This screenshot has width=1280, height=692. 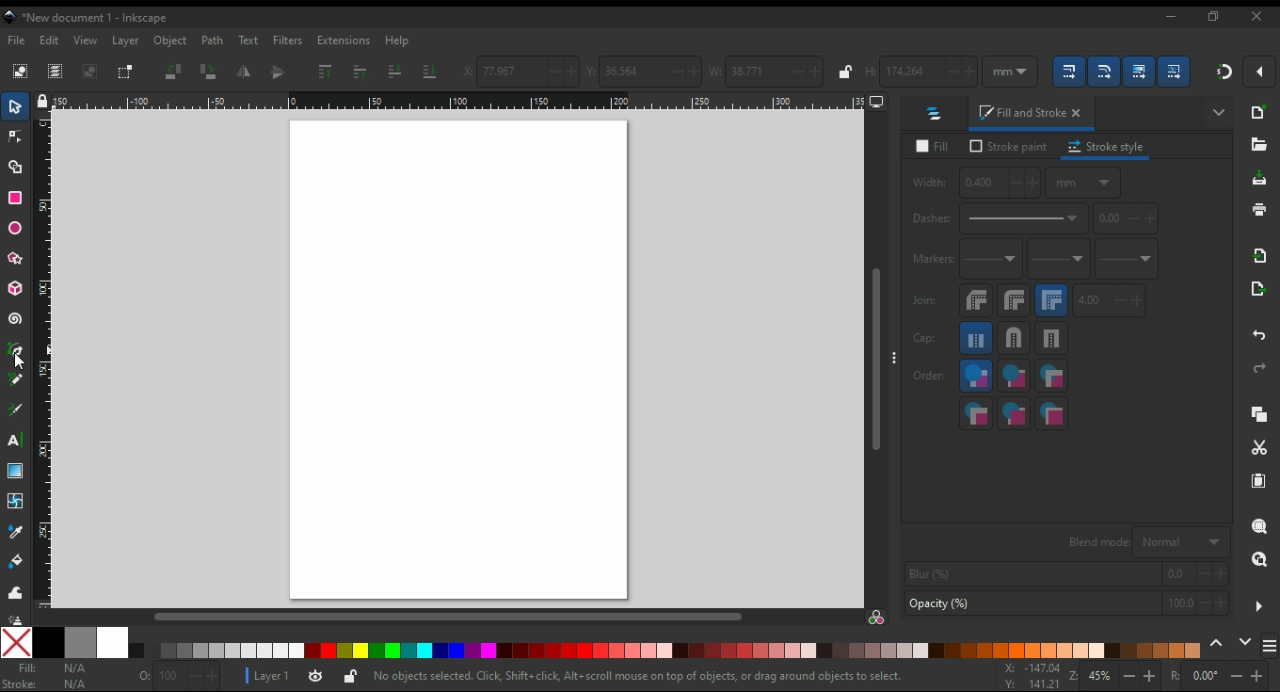 I want to click on opacity, so click(x=1064, y=603).